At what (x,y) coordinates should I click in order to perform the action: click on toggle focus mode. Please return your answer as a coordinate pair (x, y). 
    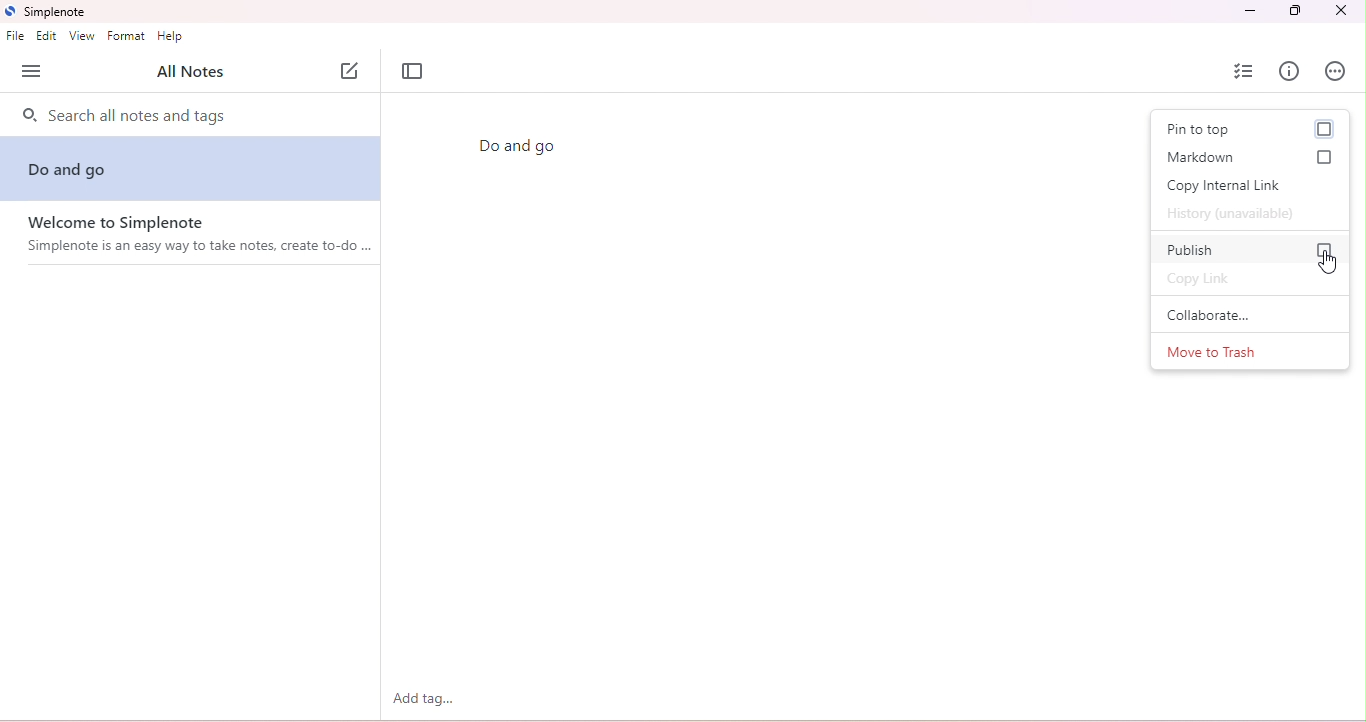
    Looking at the image, I should click on (414, 72).